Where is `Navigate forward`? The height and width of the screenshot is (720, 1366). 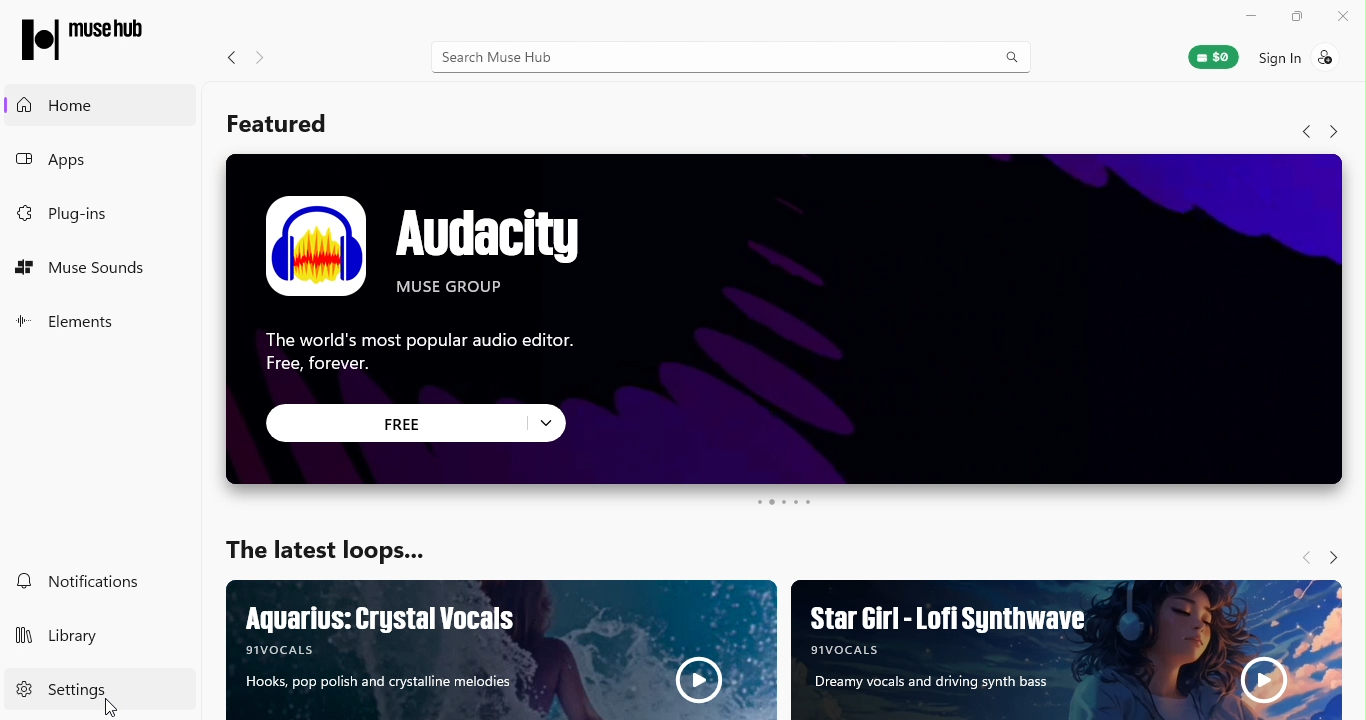
Navigate forward is located at coordinates (258, 58).